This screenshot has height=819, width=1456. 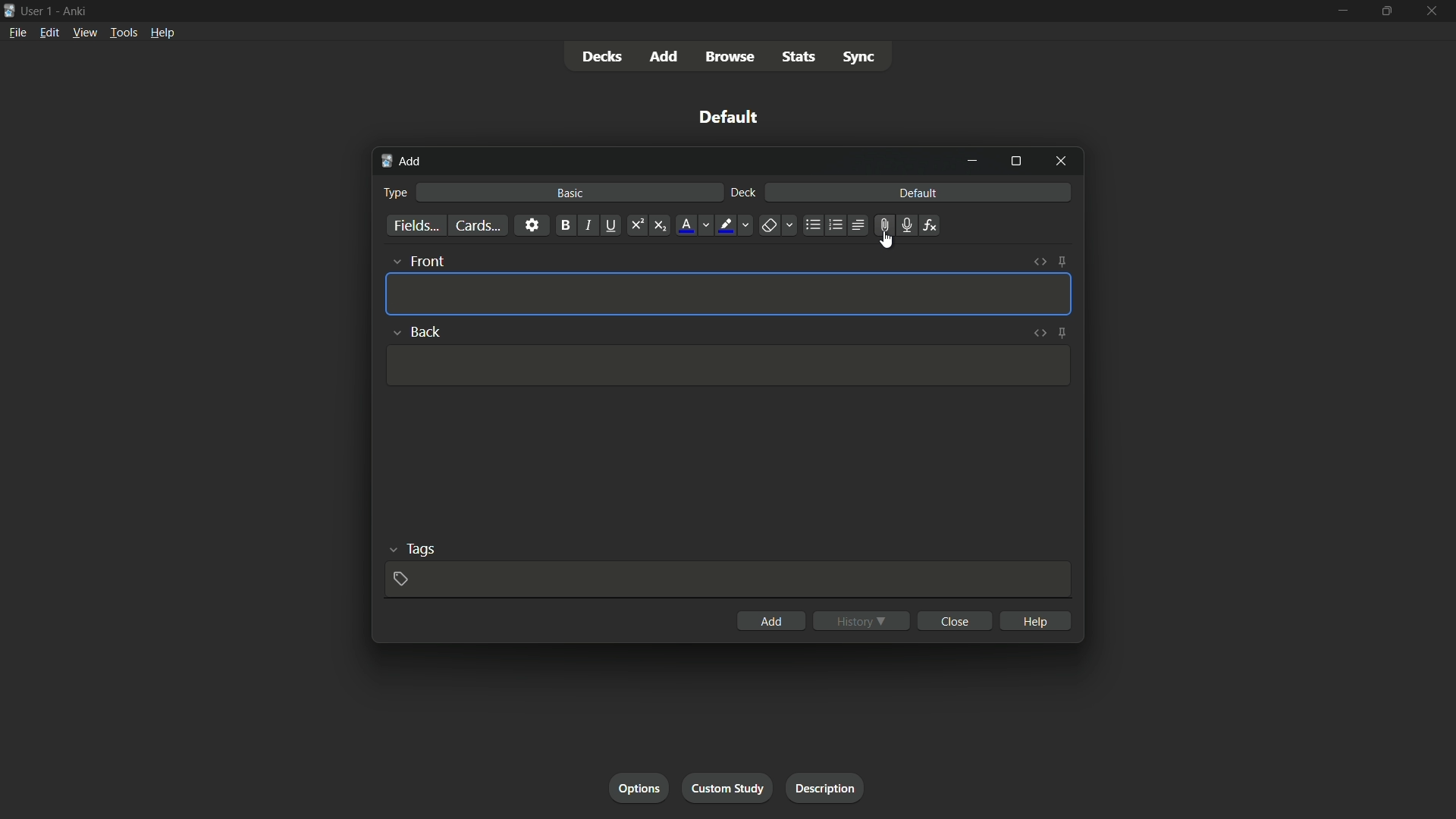 What do you see at coordinates (1065, 260) in the screenshot?
I see `toggle sticky` at bounding box center [1065, 260].